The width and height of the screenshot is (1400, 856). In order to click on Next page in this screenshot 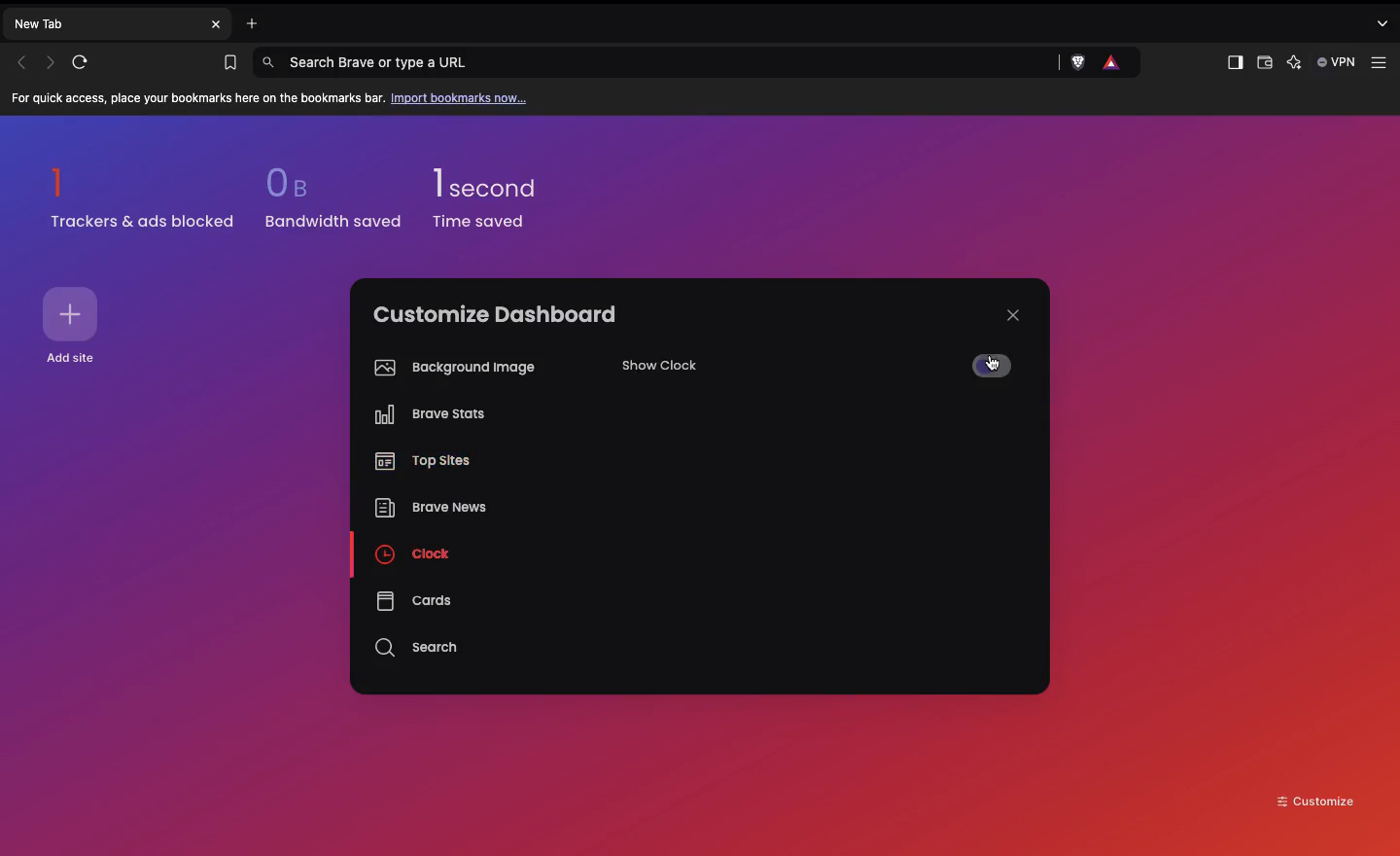, I will do `click(52, 61)`.